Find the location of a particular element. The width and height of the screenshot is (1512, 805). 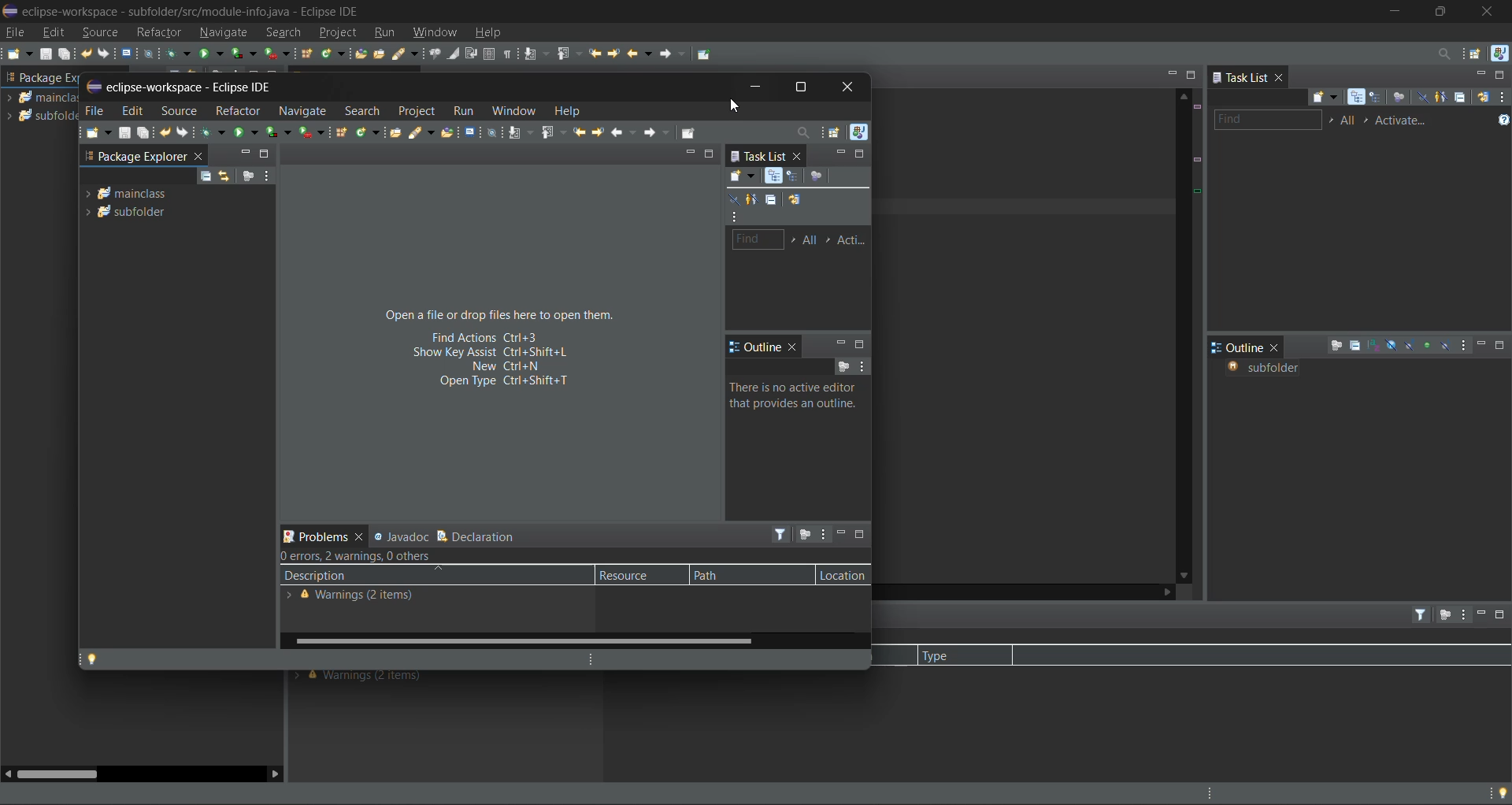

toggle java editor breadcrumb is located at coordinates (435, 53).